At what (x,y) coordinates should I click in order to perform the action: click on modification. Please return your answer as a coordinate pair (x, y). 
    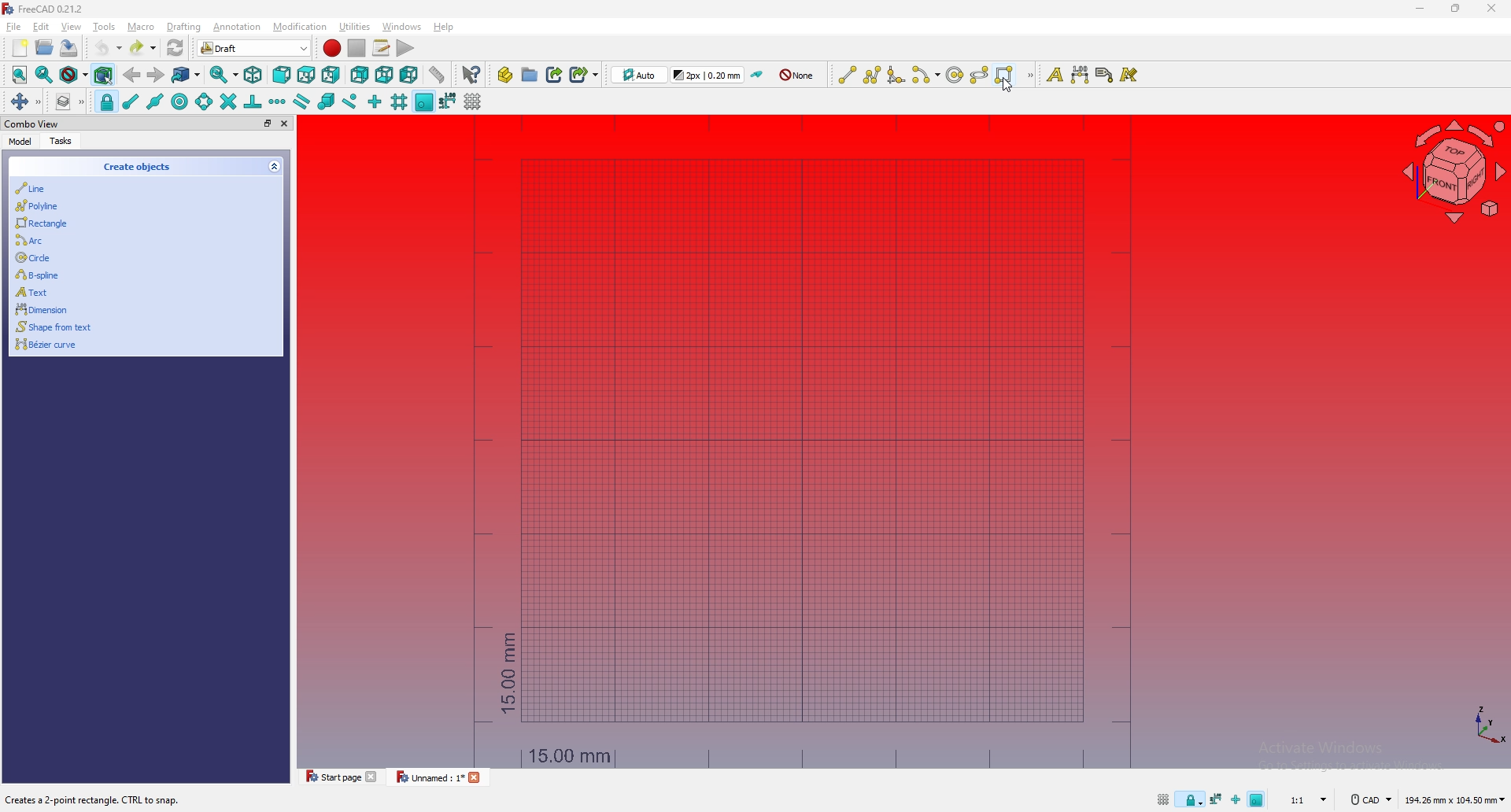
    Looking at the image, I should click on (301, 27).